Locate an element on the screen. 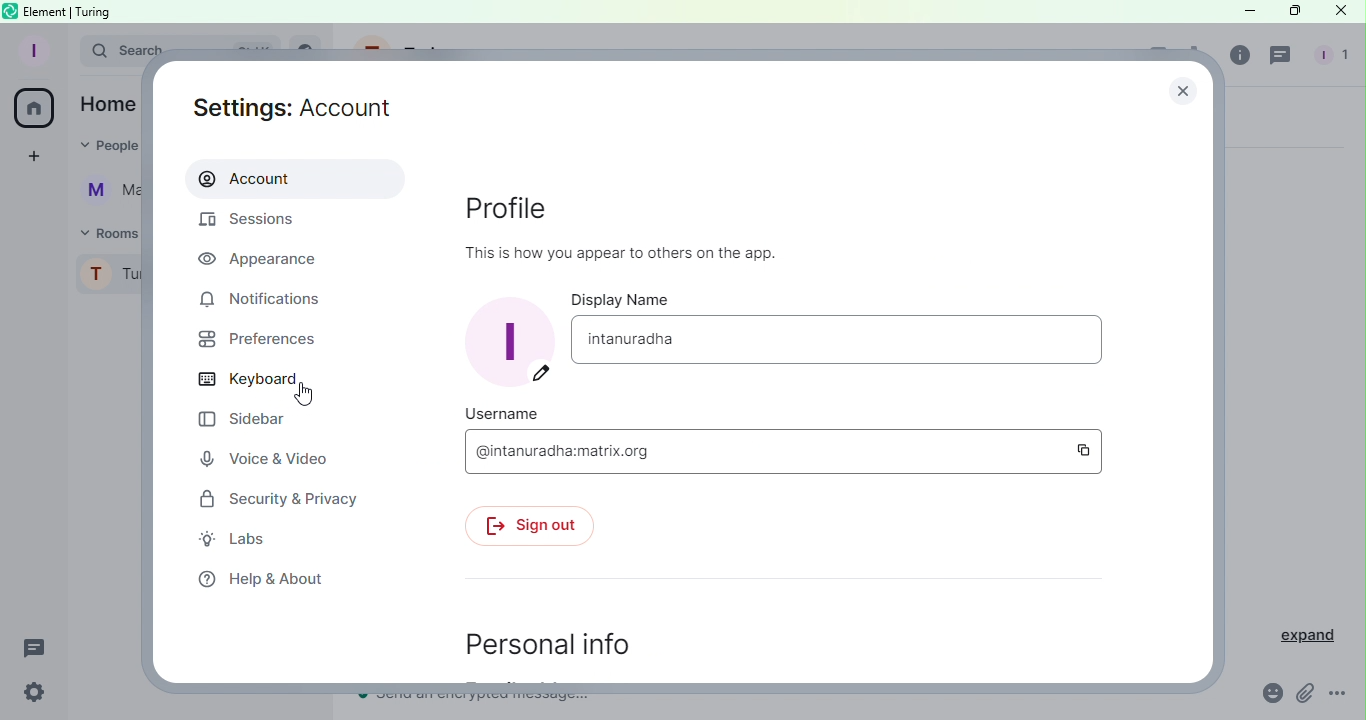  Help and about is located at coordinates (258, 580).